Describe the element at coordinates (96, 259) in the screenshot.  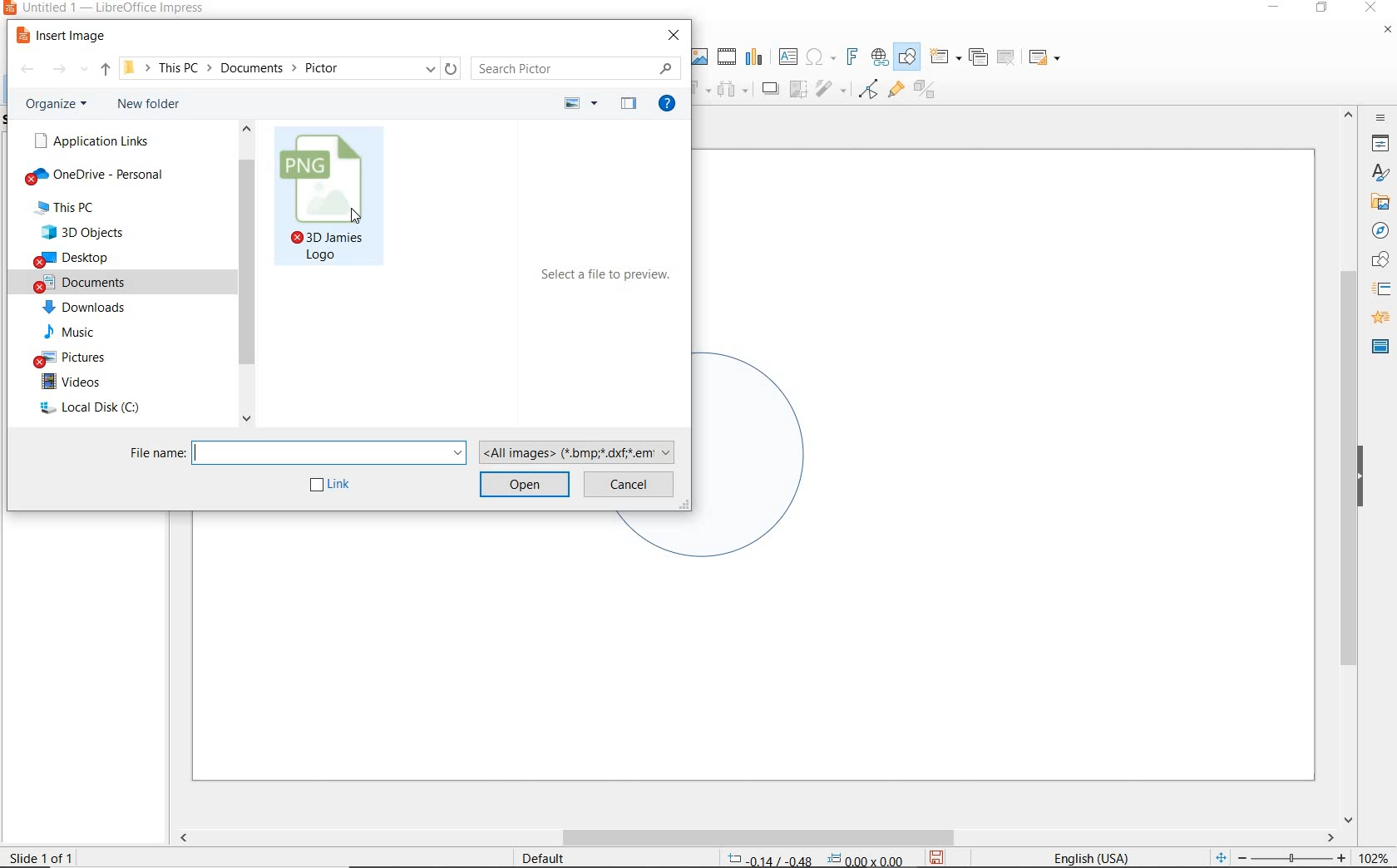
I see `desktop` at that location.